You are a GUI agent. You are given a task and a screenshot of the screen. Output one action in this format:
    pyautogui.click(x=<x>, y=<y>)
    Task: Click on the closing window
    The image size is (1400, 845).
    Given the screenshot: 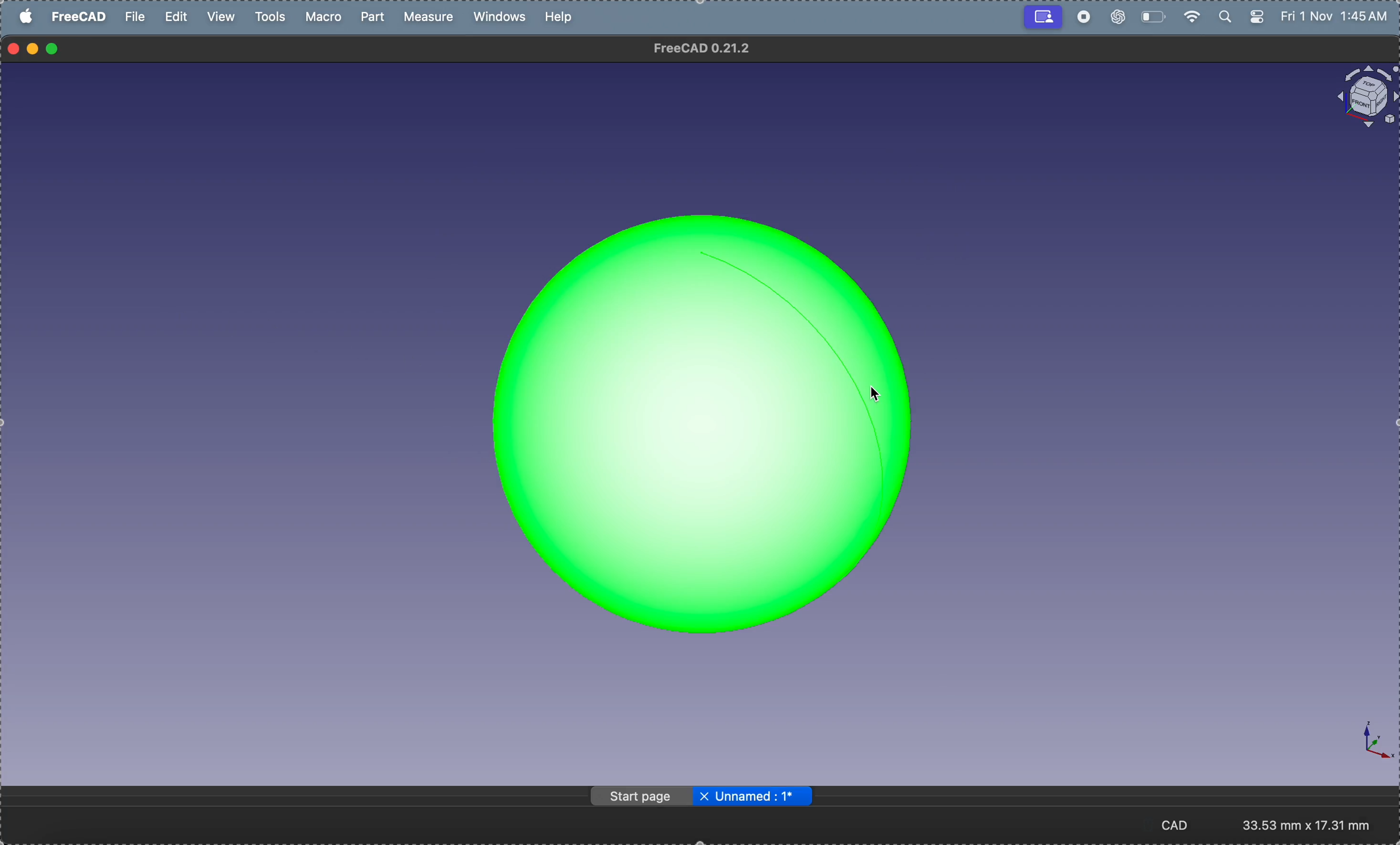 What is the action you would take?
    pyautogui.click(x=14, y=47)
    